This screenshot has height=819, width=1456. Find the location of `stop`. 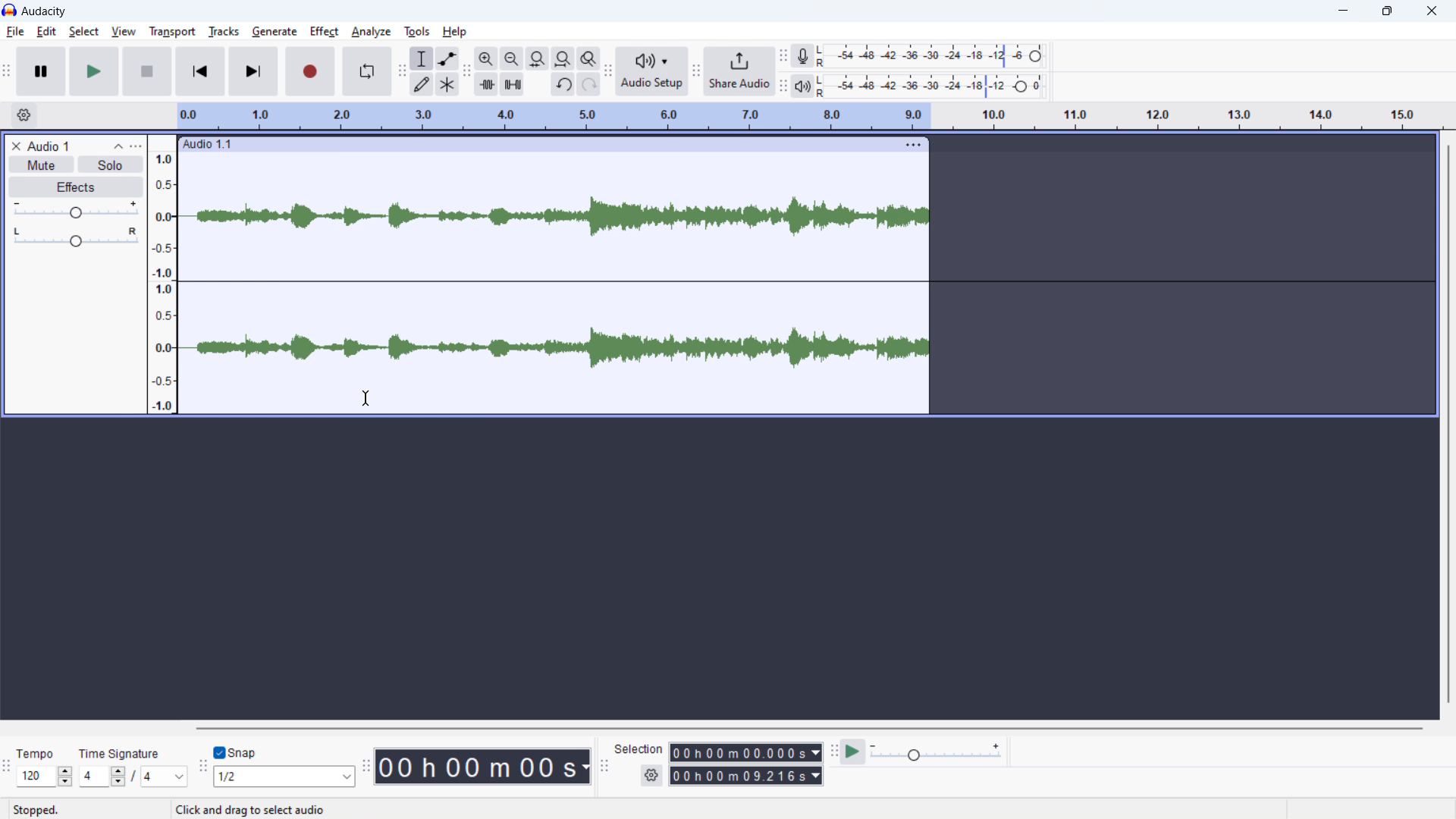

stop is located at coordinates (146, 71).